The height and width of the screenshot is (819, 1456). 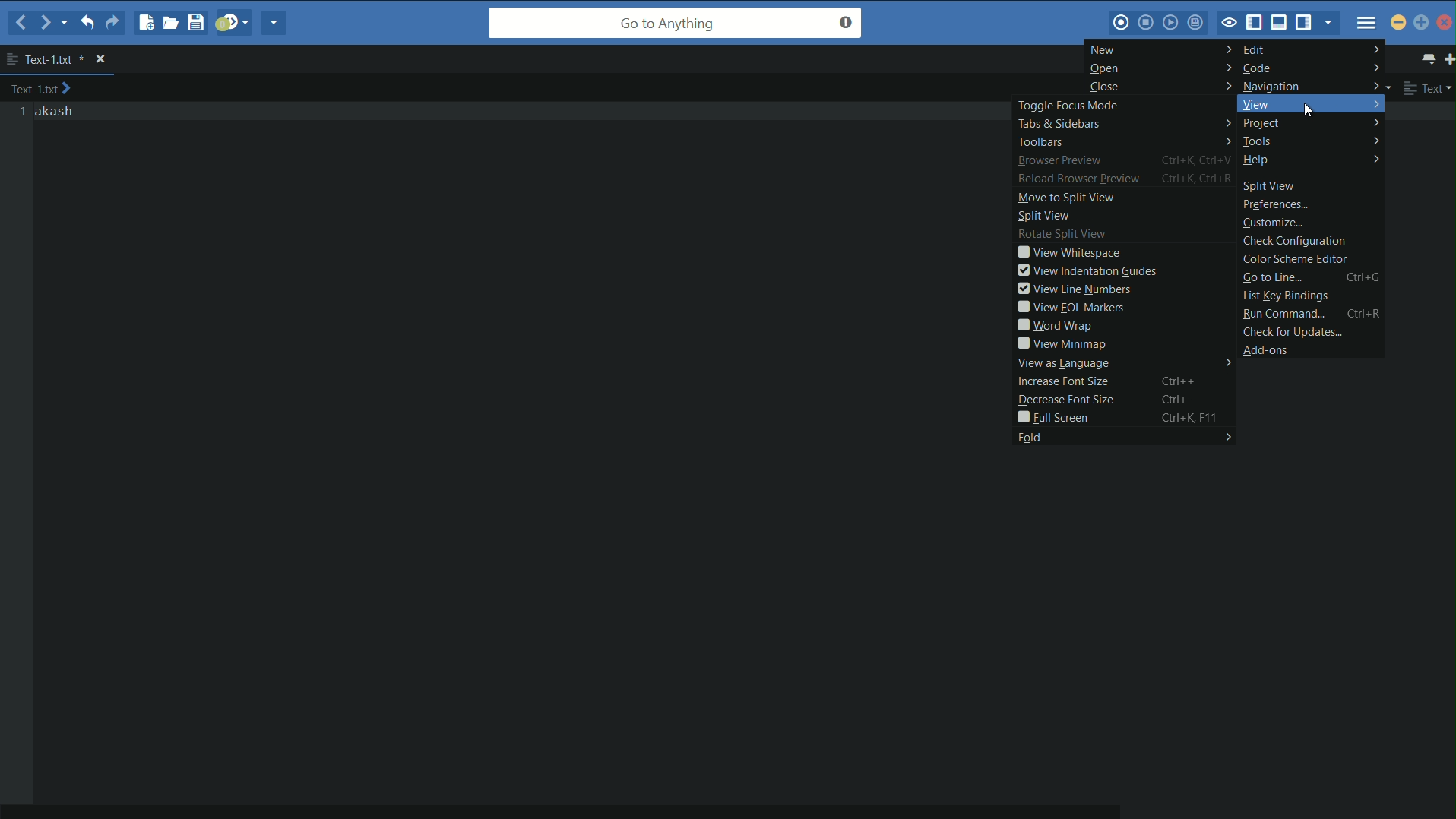 What do you see at coordinates (1398, 22) in the screenshot?
I see `minimize` at bounding box center [1398, 22].